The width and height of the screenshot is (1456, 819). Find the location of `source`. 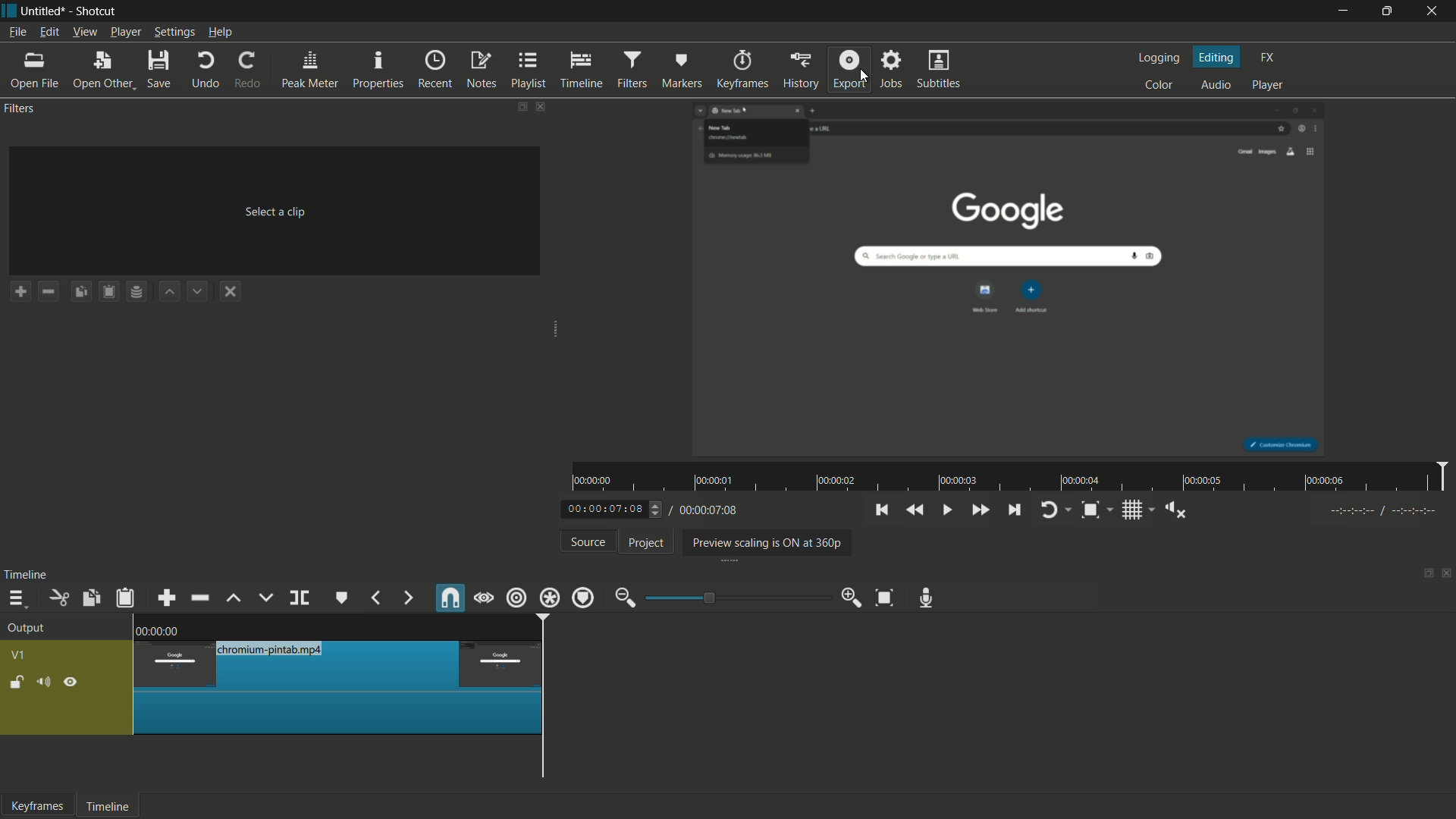

source is located at coordinates (589, 541).